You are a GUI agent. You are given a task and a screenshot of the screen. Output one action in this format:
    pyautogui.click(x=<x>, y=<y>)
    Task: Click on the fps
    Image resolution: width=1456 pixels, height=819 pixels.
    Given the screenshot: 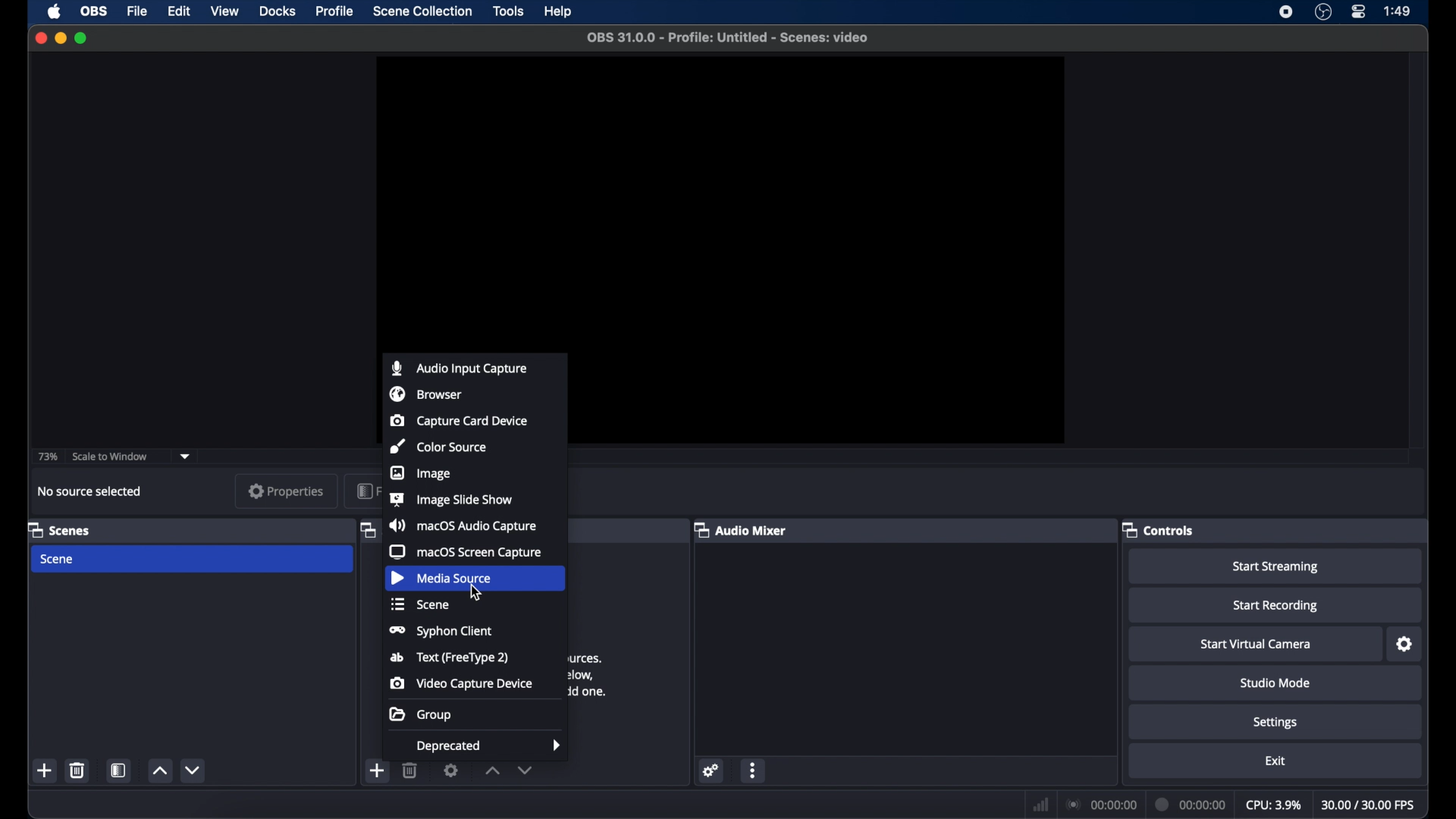 What is the action you would take?
    pyautogui.click(x=1368, y=805)
    